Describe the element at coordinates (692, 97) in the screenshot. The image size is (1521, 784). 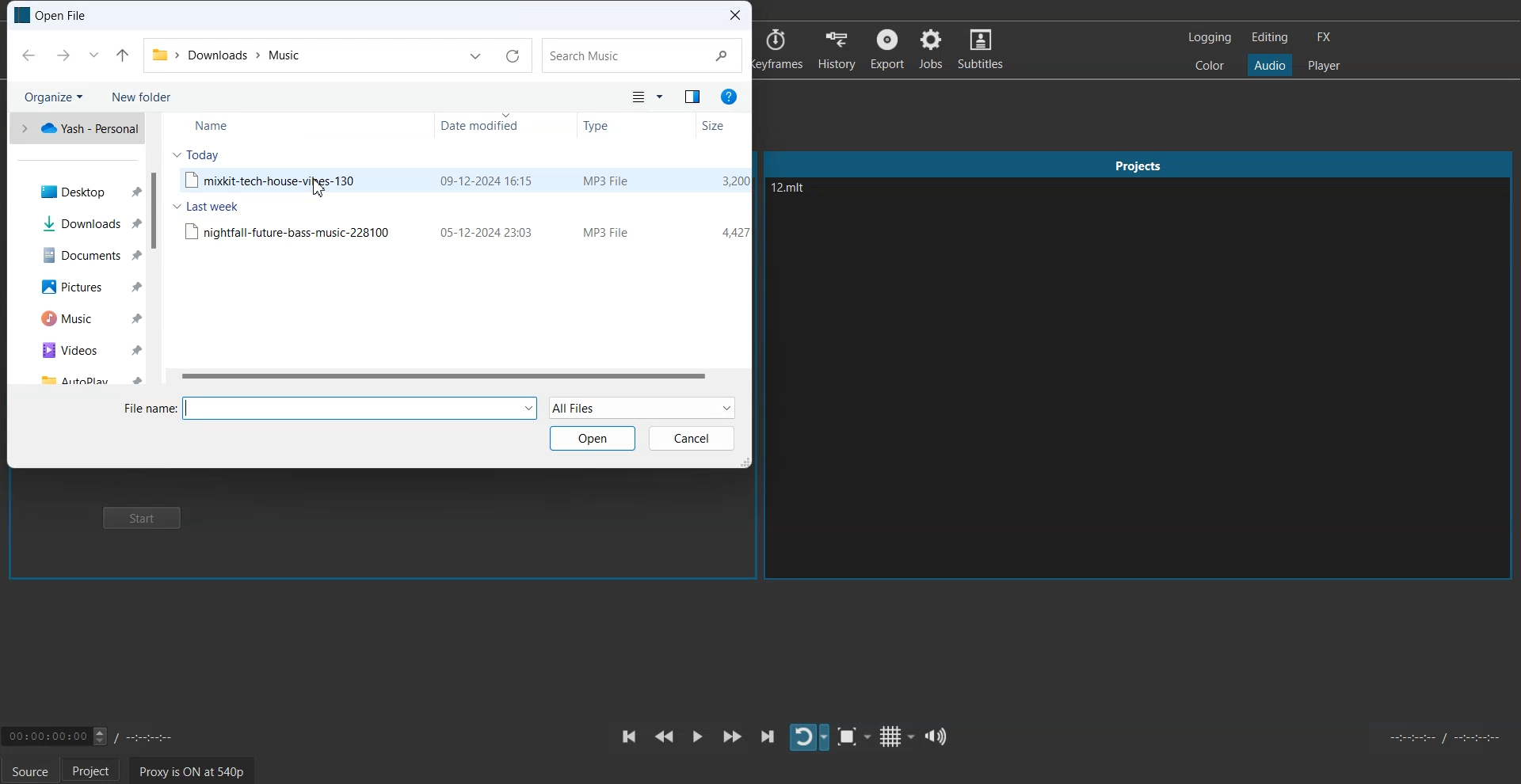
I see `Show the preview pane` at that location.